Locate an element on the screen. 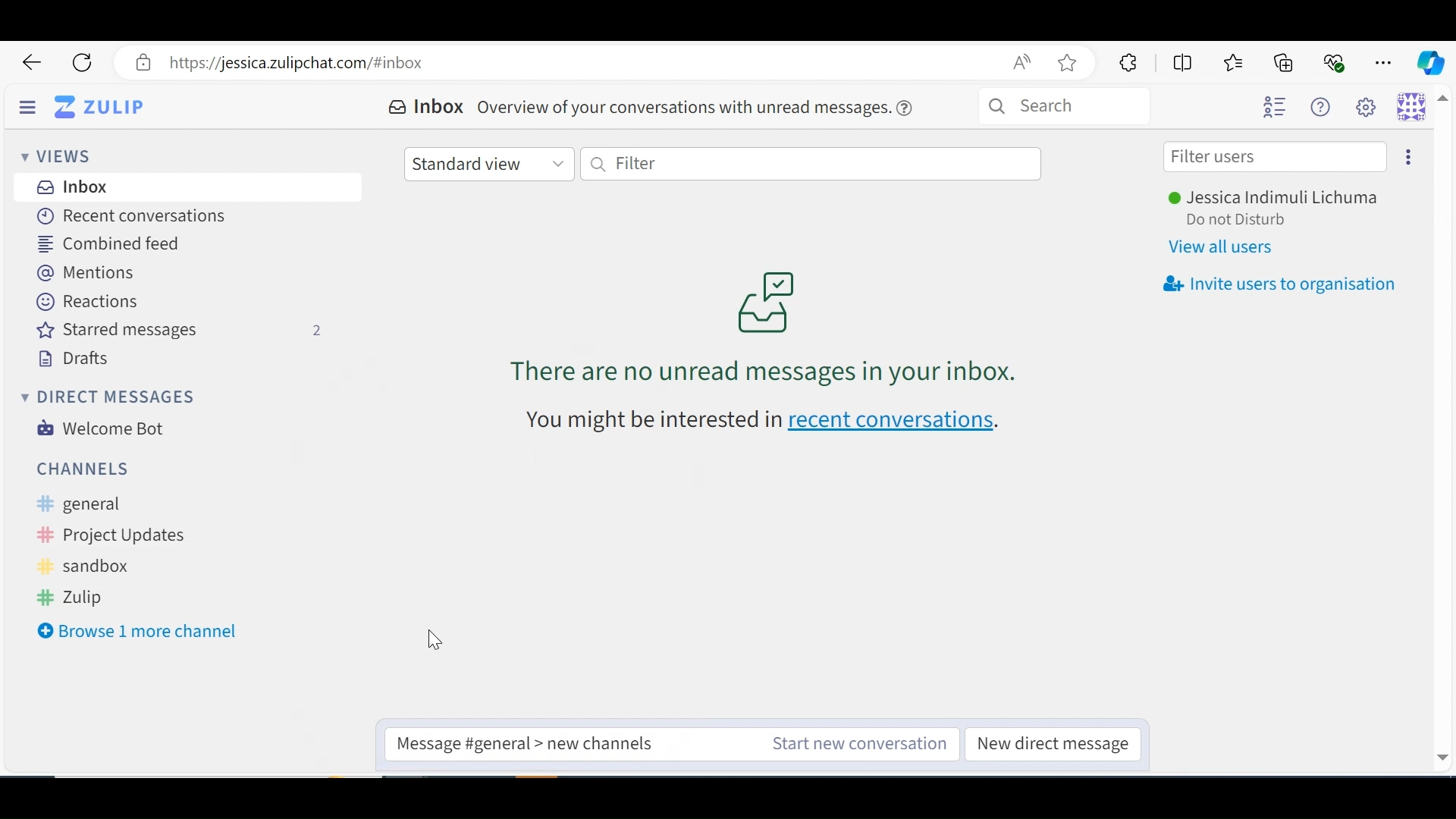 The width and height of the screenshot is (1456, 819). Filter users is located at coordinates (1276, 157).